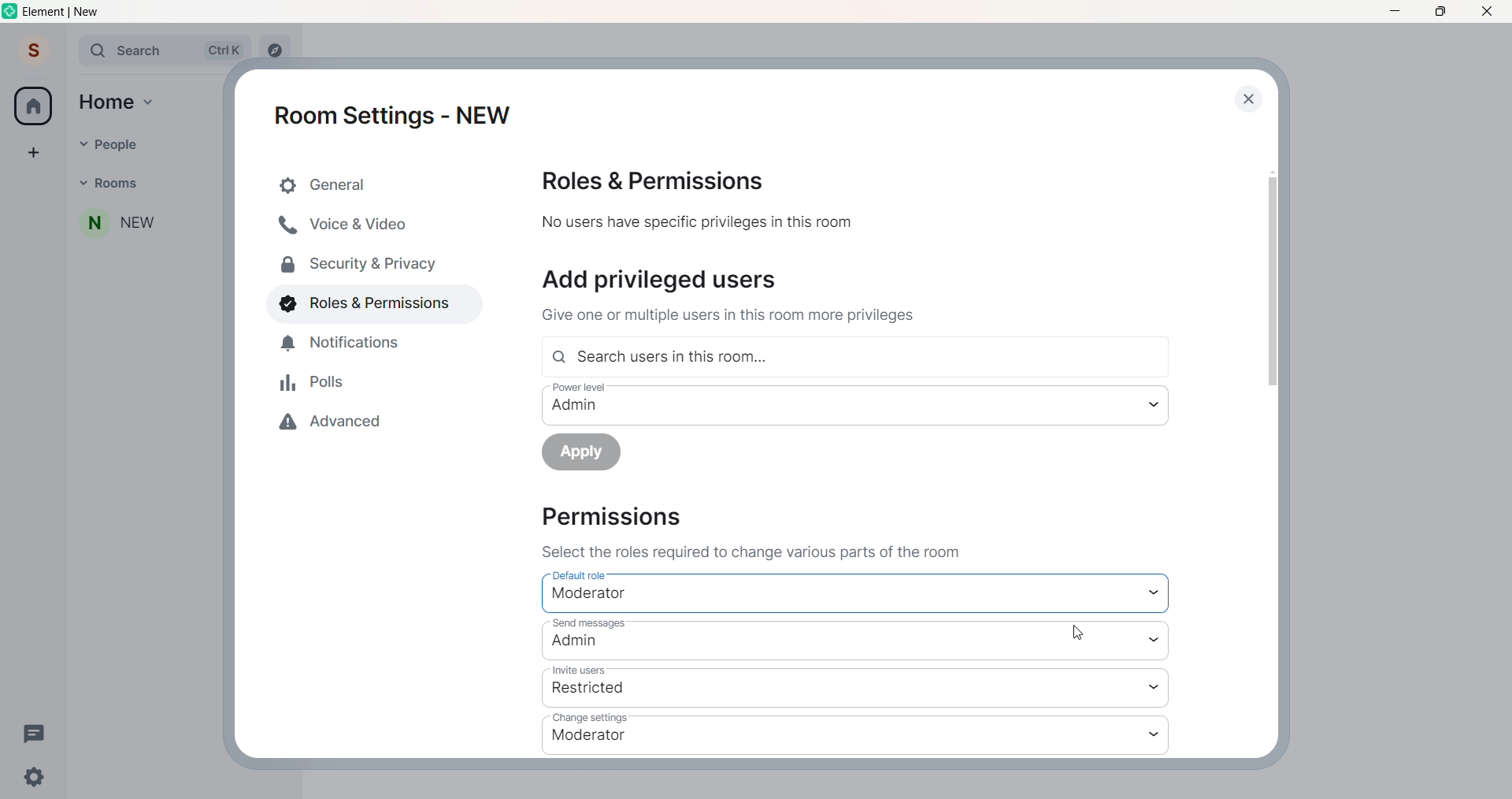  What do you see at coordinates (1490, 11) in the screenshot?
I see `close` at bounding box center [1490, 11].